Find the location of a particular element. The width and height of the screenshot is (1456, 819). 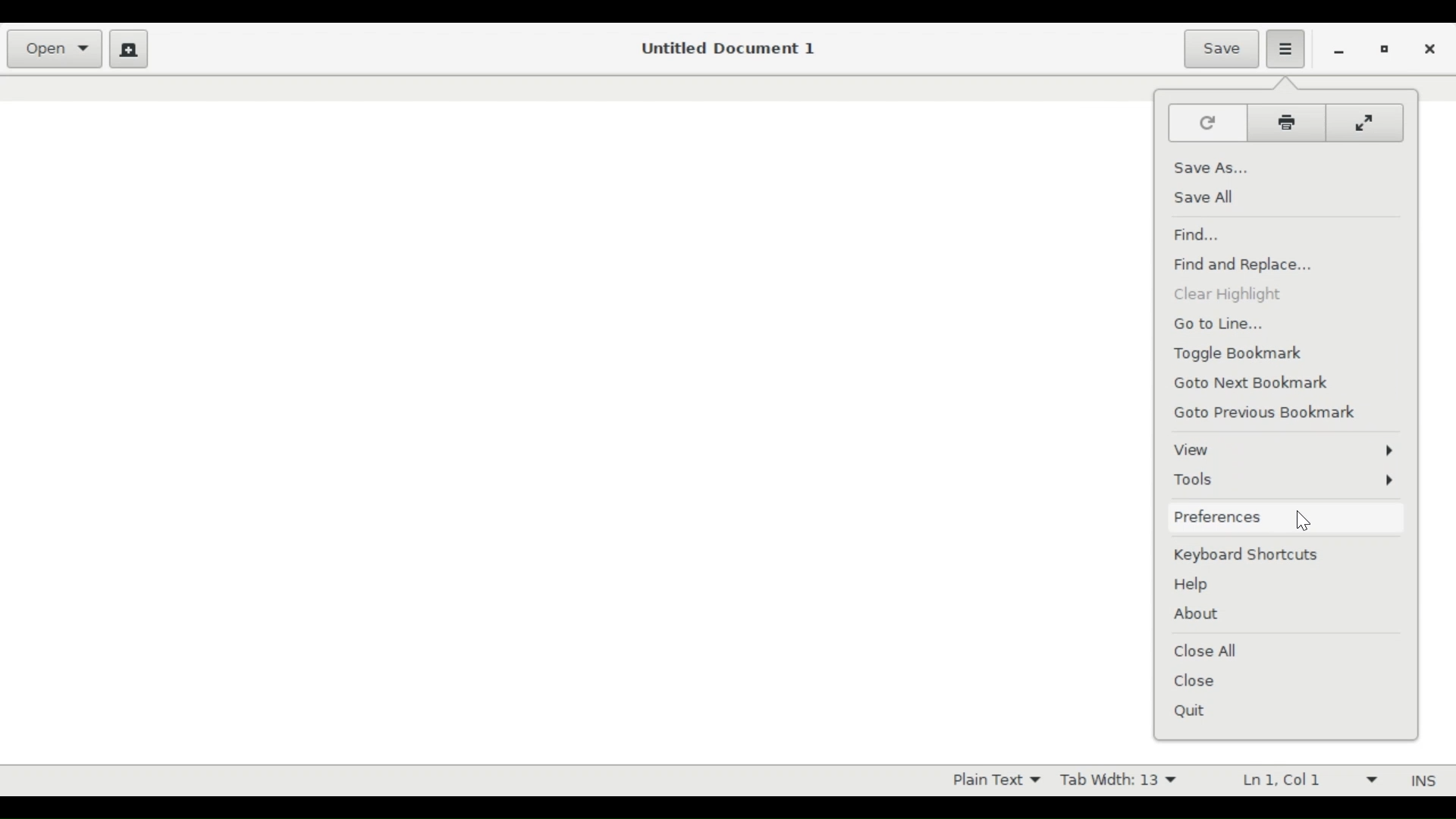

About is located at coordinates (1197, 614).